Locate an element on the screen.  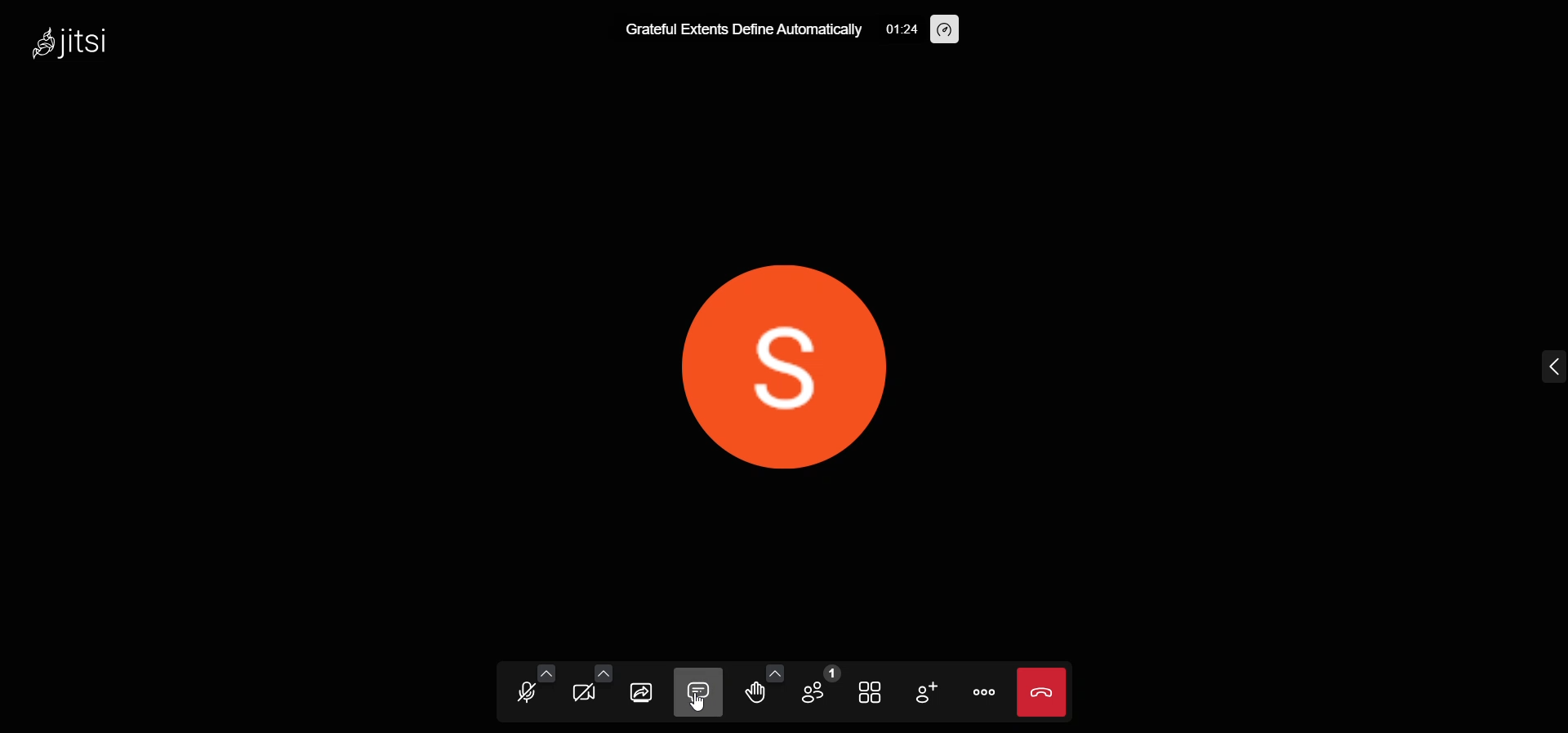
meeting title is located at coordinates (745, 31).